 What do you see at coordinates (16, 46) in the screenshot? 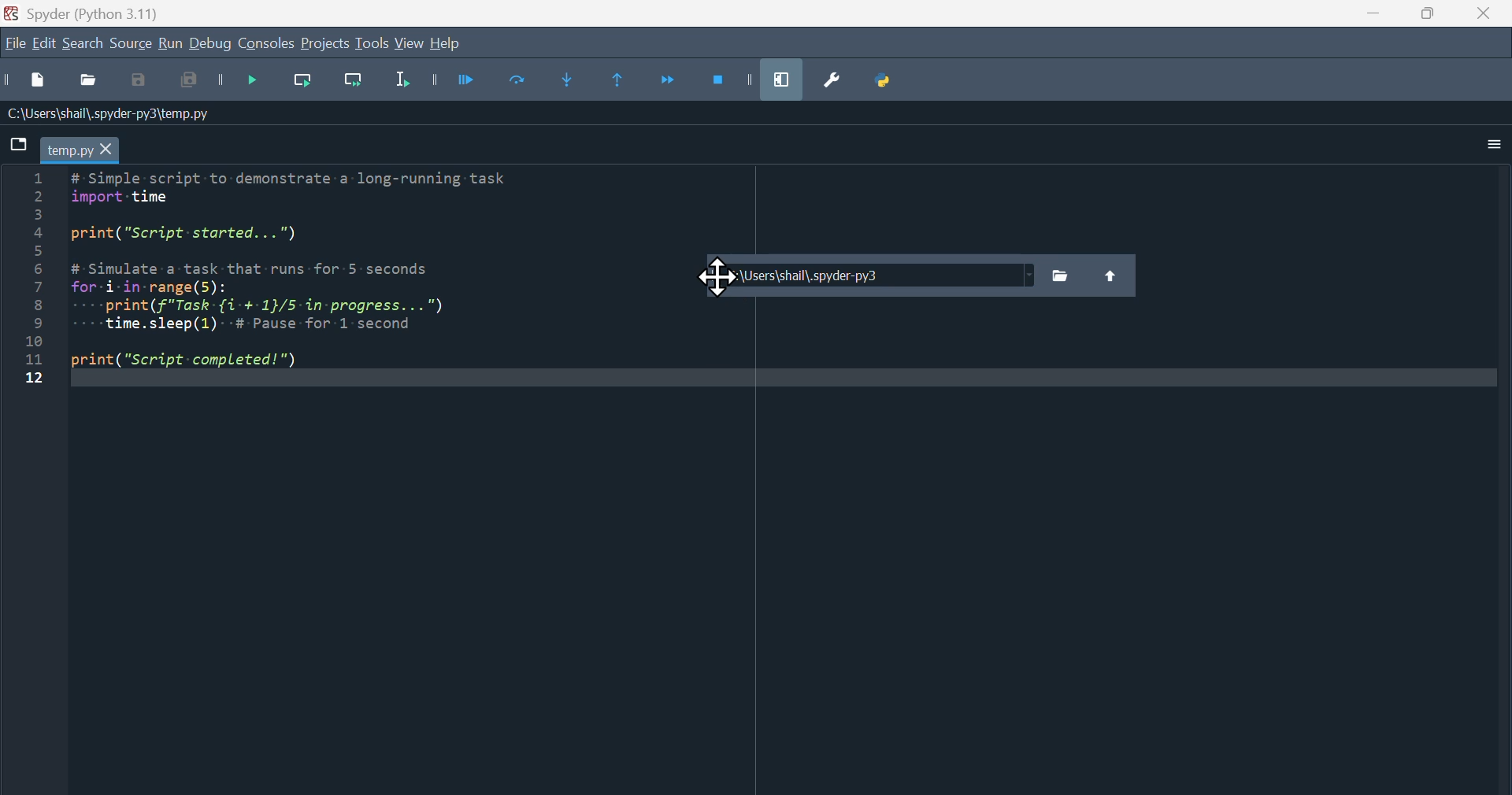
I see `File` at bounding box center [16, 46].